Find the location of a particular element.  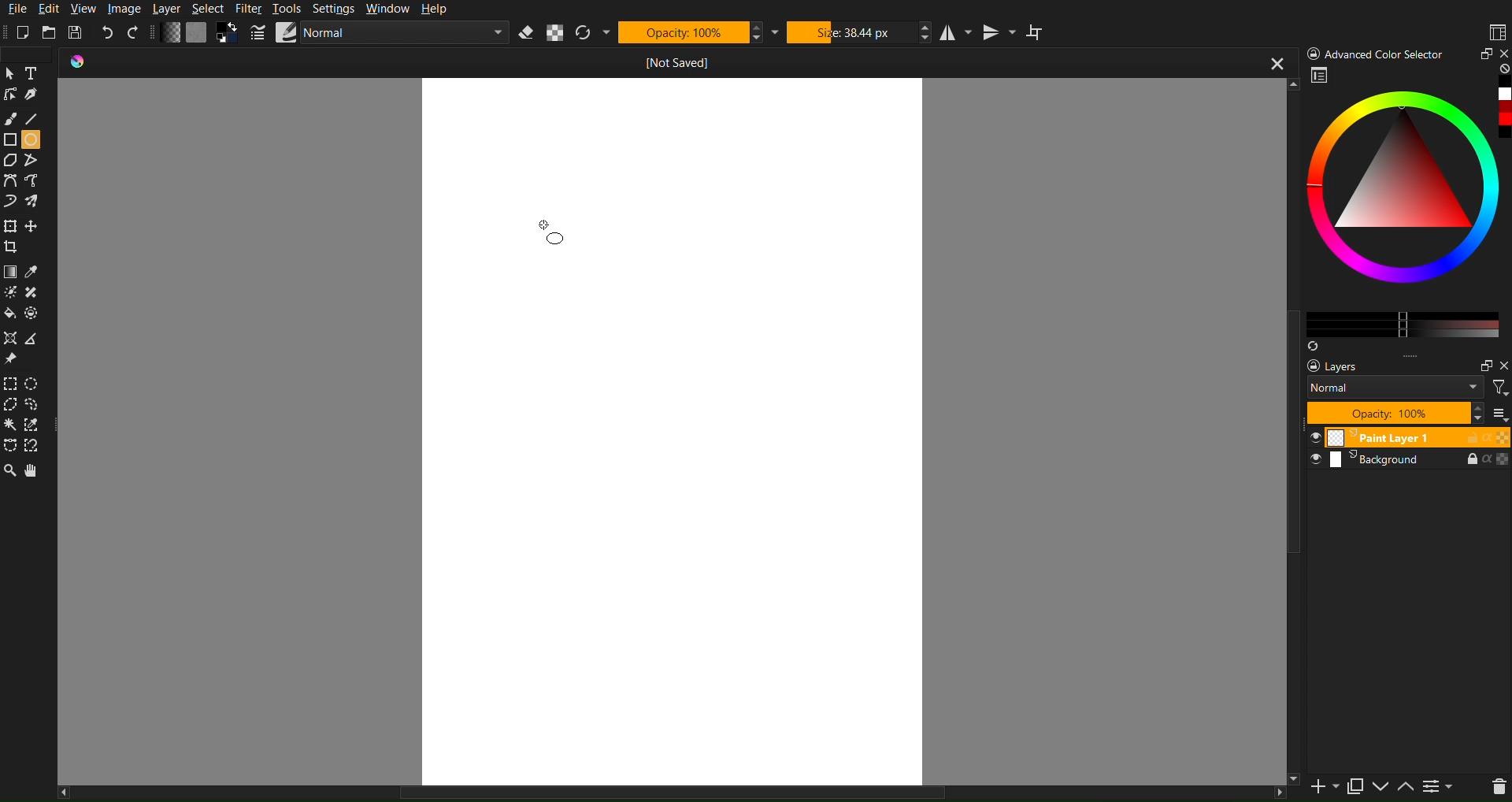

Free polygon is located at coordinates (30, 161).